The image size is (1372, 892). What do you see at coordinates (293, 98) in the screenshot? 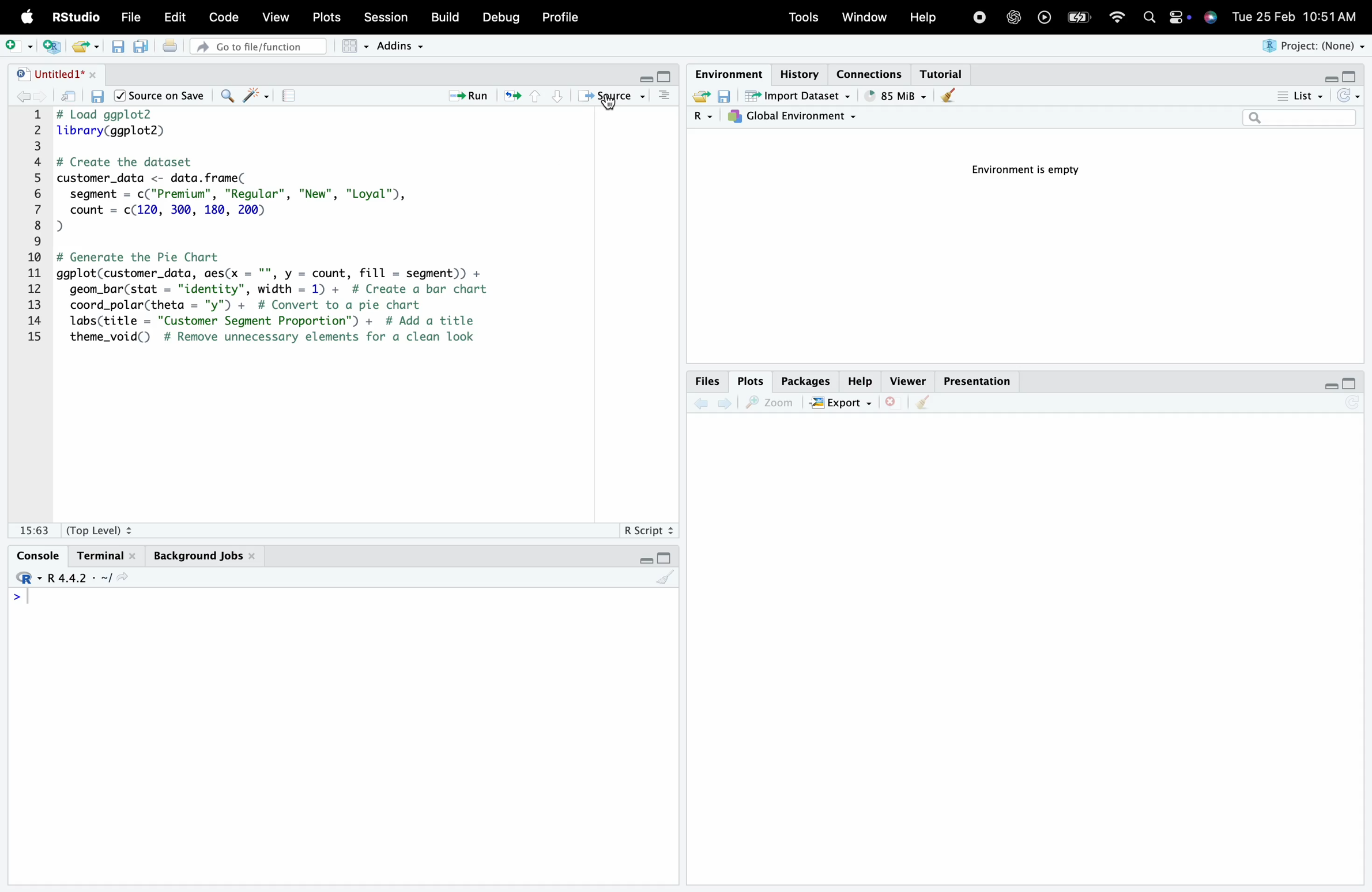
I see `notebook` at bounding box center [293, 98].